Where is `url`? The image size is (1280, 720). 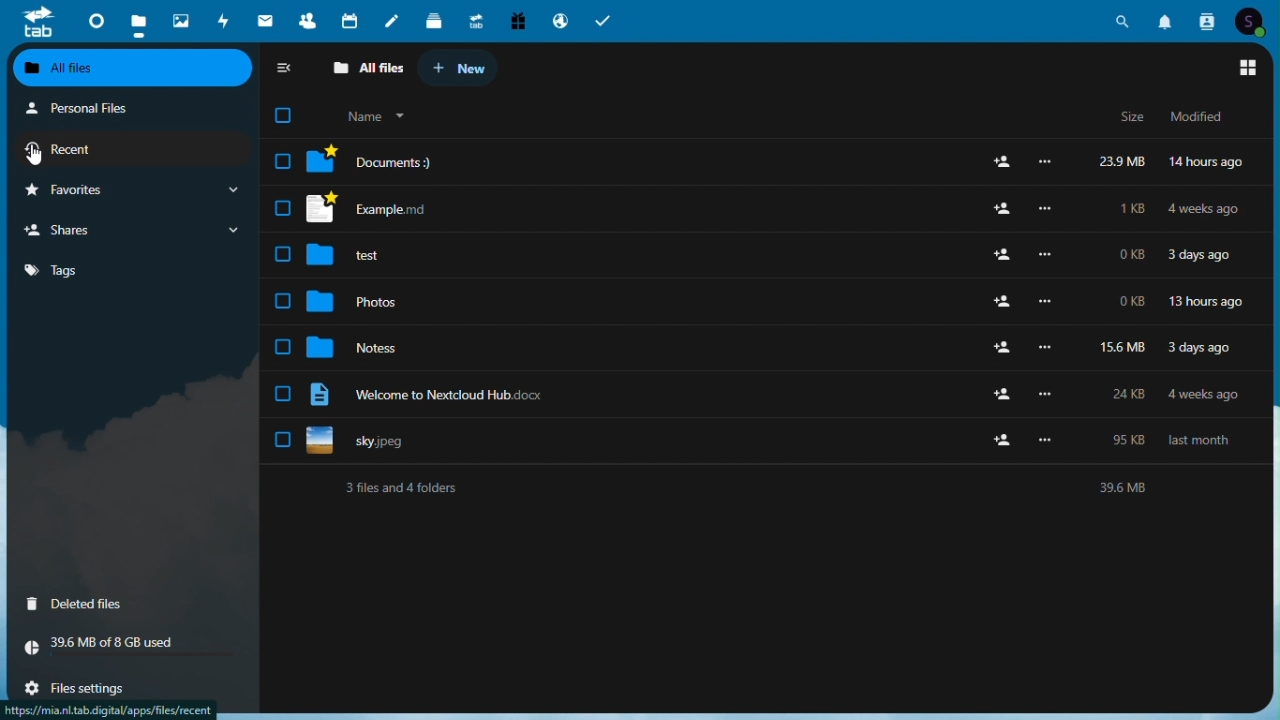 url is located at coordinates (109, 710).